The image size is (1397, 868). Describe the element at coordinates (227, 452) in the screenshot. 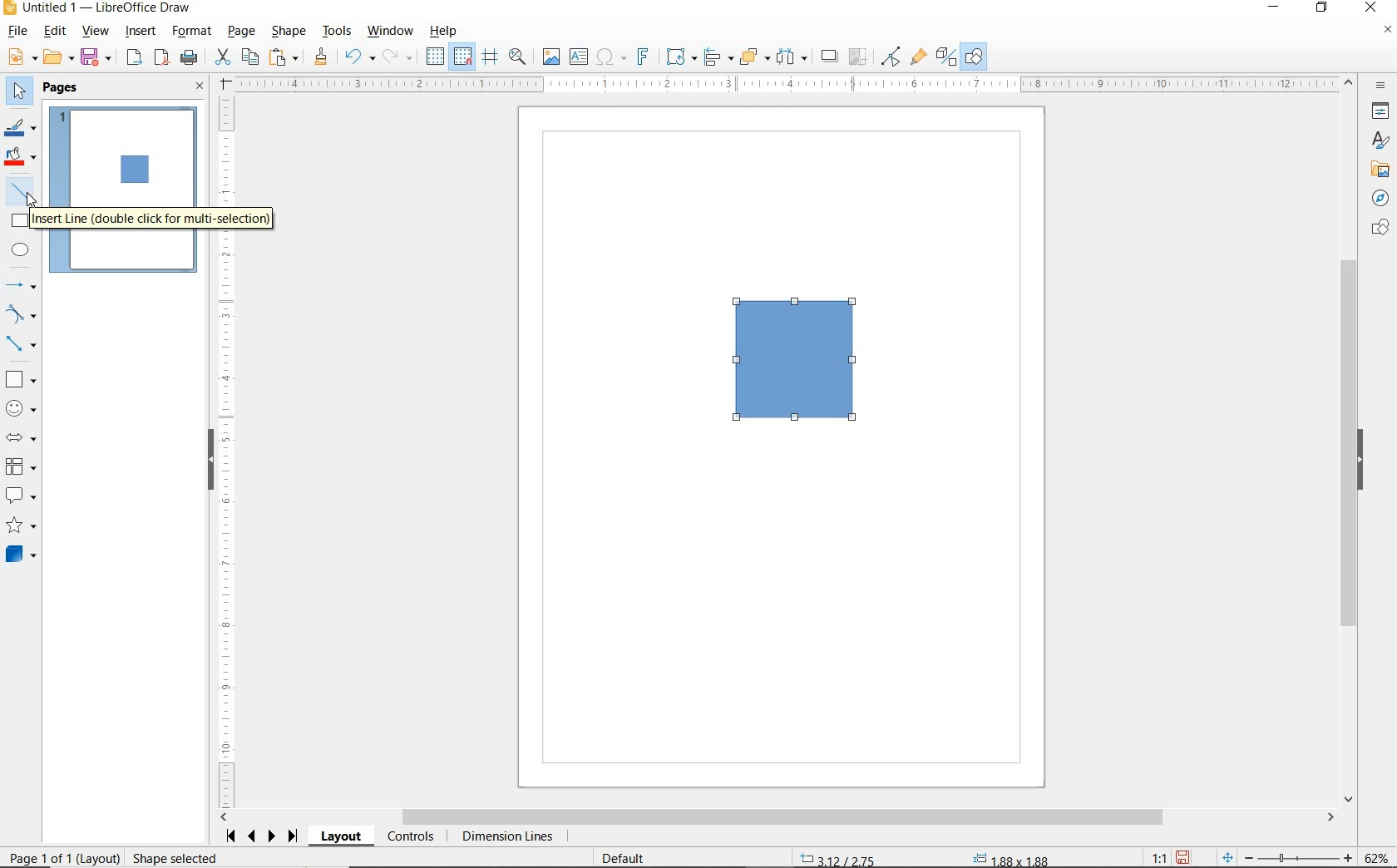

I see `RULER` at that location.